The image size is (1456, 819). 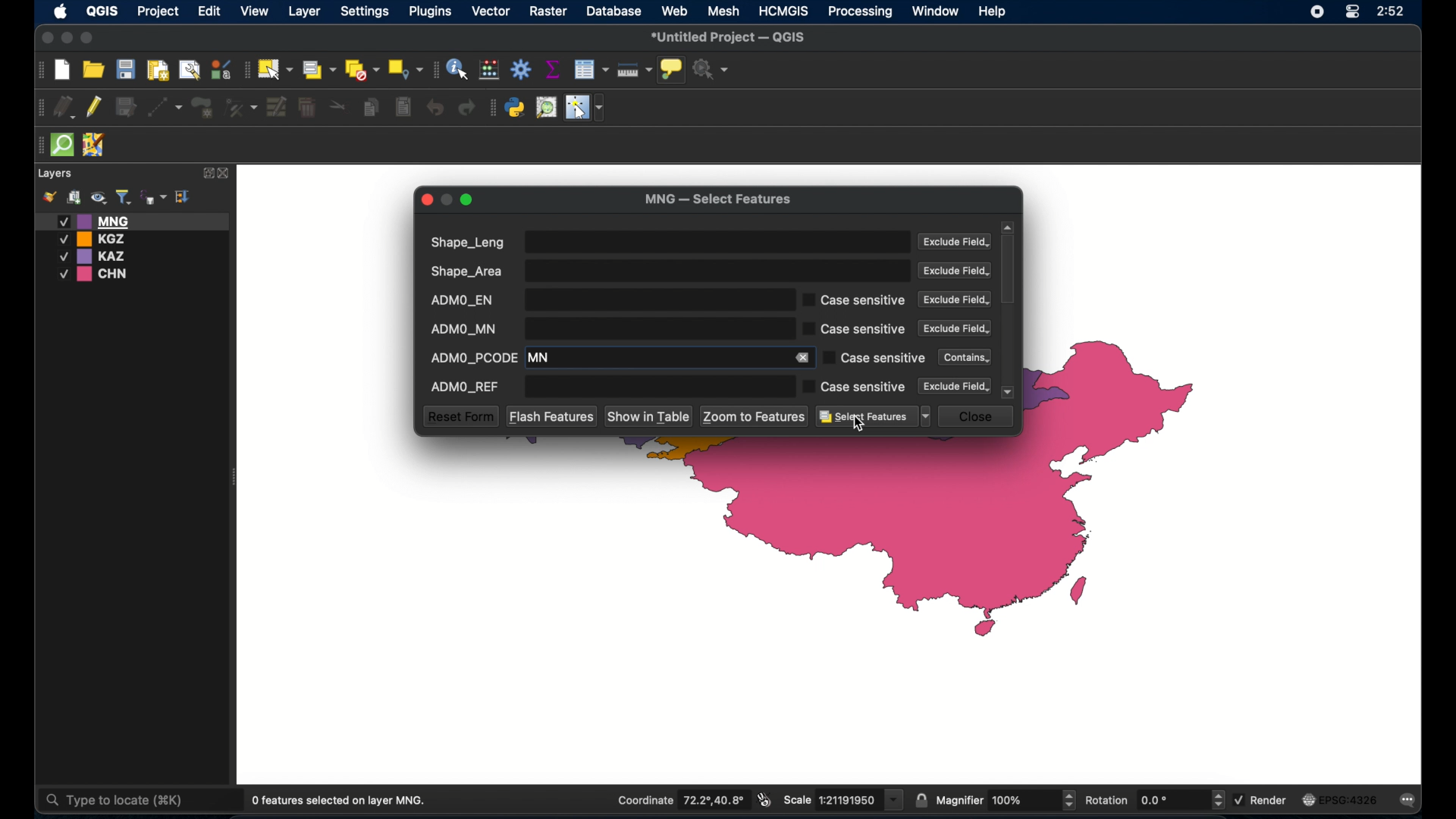 What do you see at coordinates (96, 239) in the screenshot?
I see `KGZ` at bounding box center [96, 239].